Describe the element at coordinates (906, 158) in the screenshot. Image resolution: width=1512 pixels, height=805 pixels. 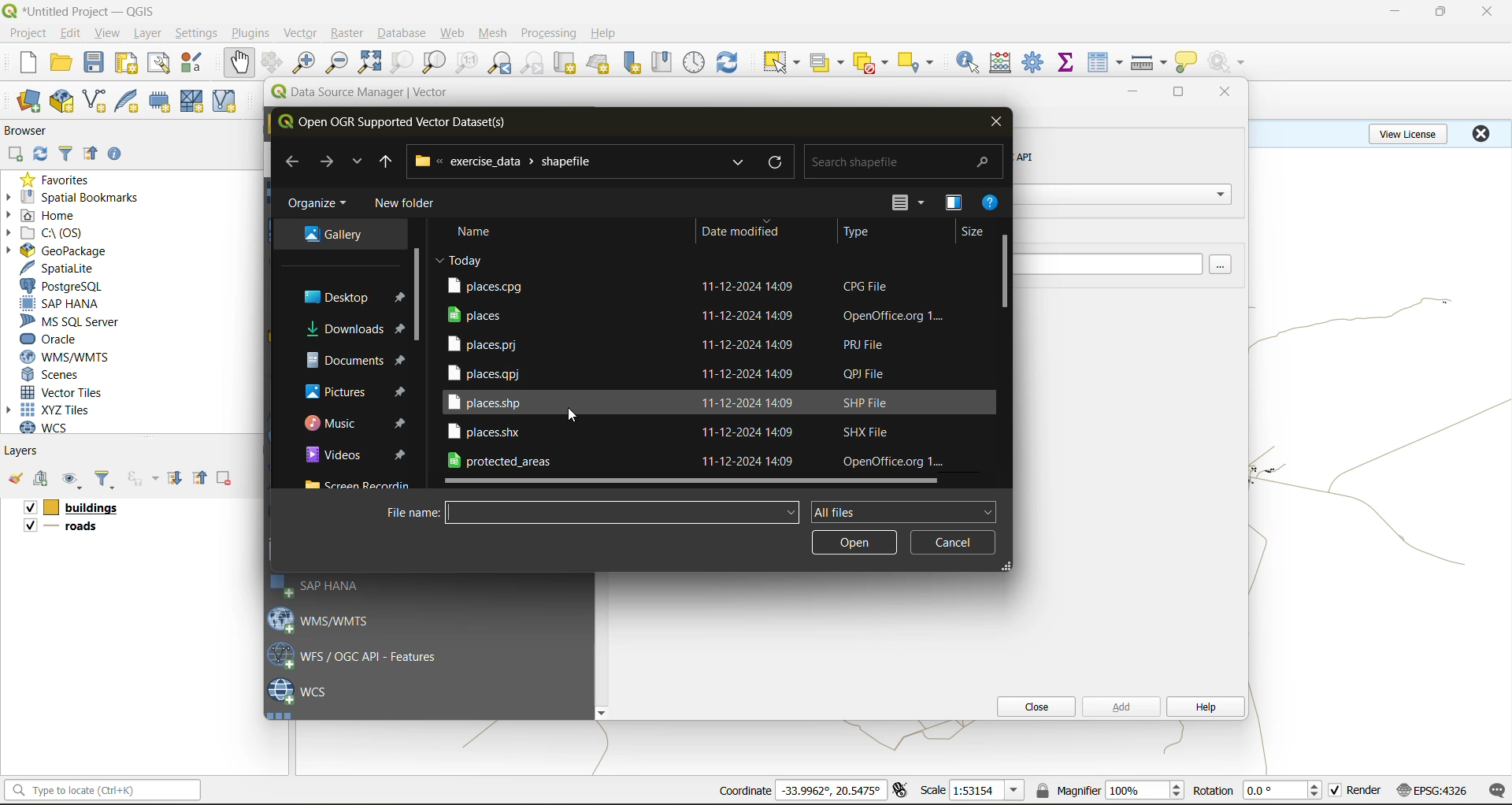
I see `search` at that location.